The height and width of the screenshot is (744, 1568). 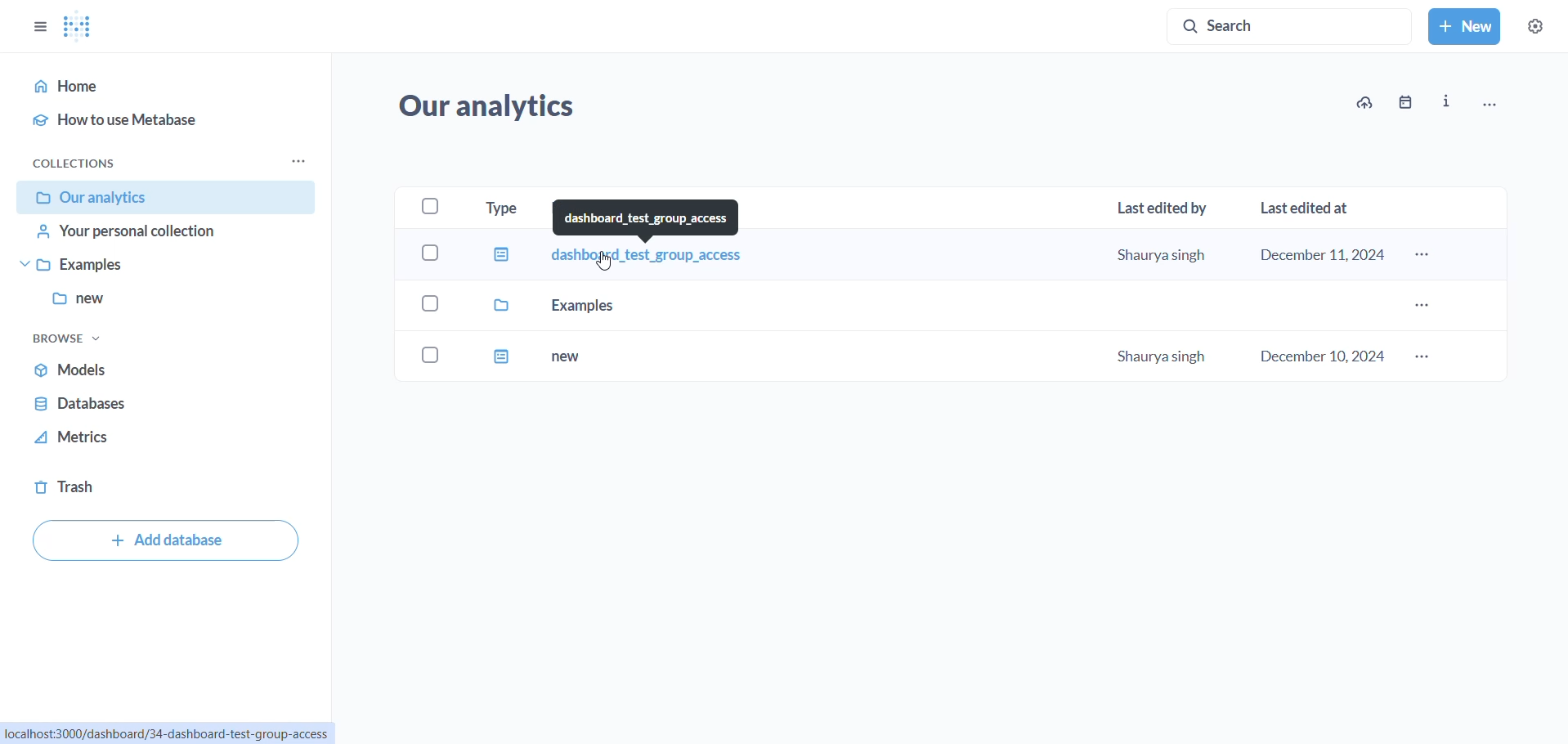 What do you see at coordinates (1498, 105) in the screenshot?
I see `menu` at bounding box center [1498, 105].